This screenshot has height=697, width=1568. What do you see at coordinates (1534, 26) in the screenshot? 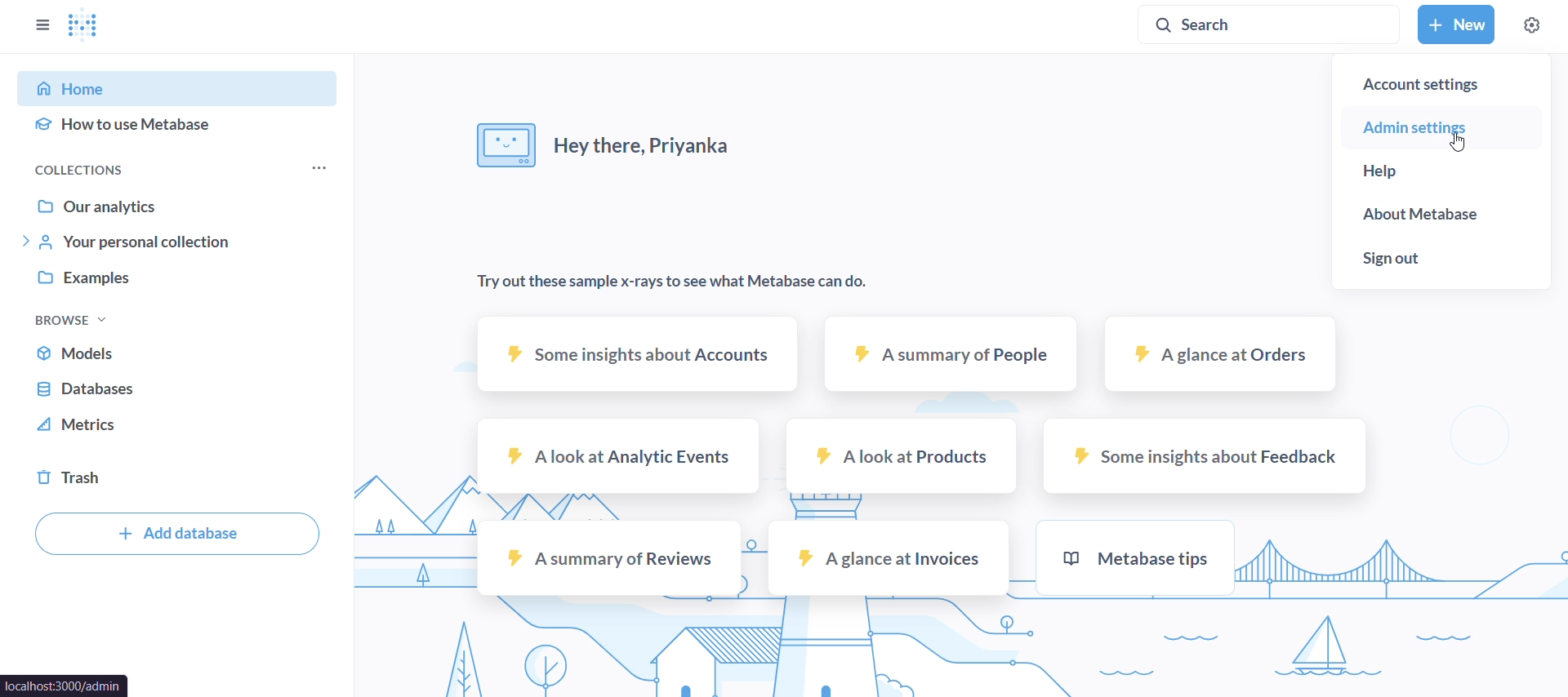
I see `settings` at bounding box center [1534, 26].